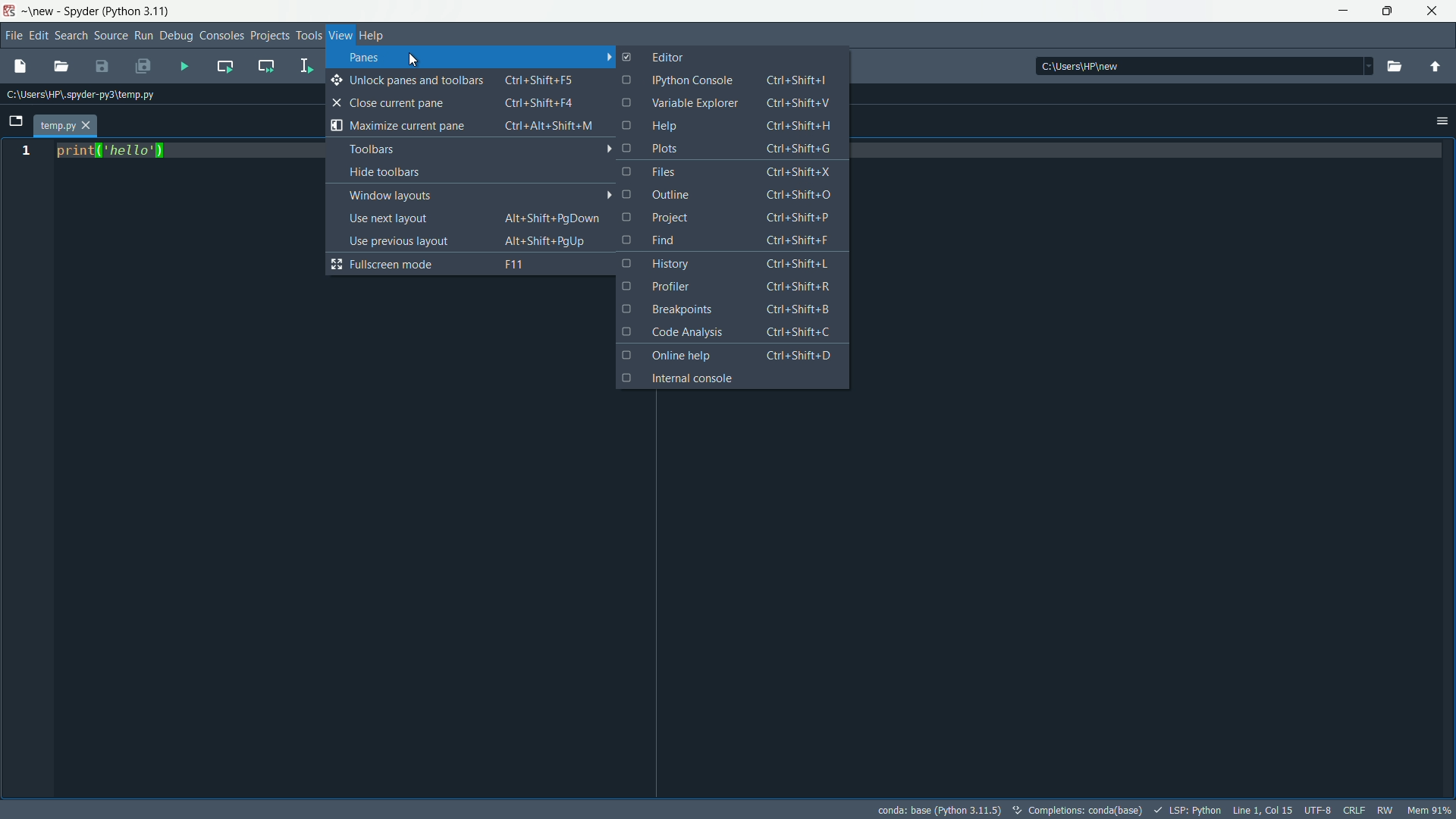 The height and width of the screenshot is (819, 1456). Describe the element at coordinates (1317, 810) in the screenshot. I see `file encoding` at that location.